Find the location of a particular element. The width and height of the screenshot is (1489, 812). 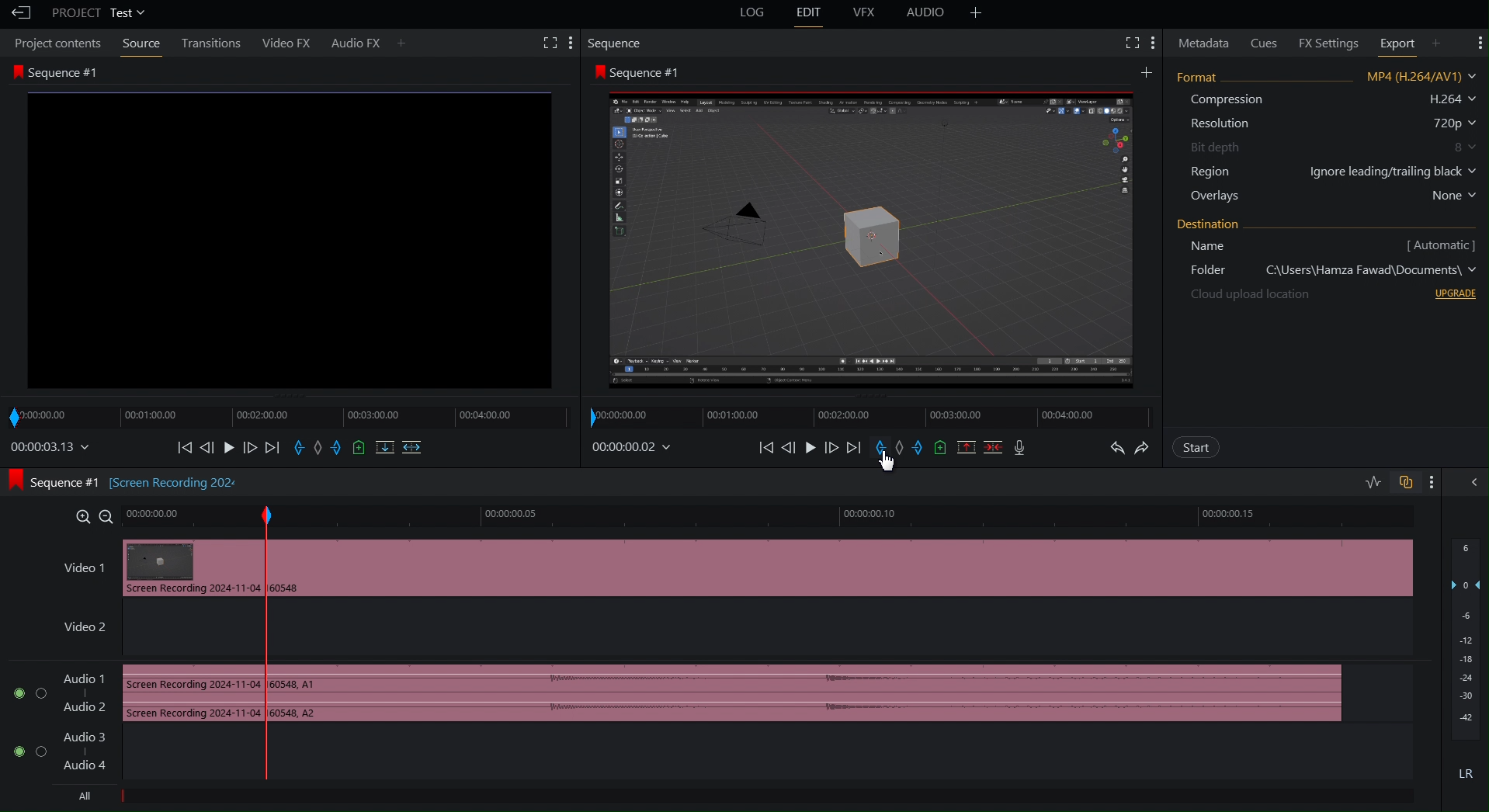

Audio clip is located at coordinates (181, 696).